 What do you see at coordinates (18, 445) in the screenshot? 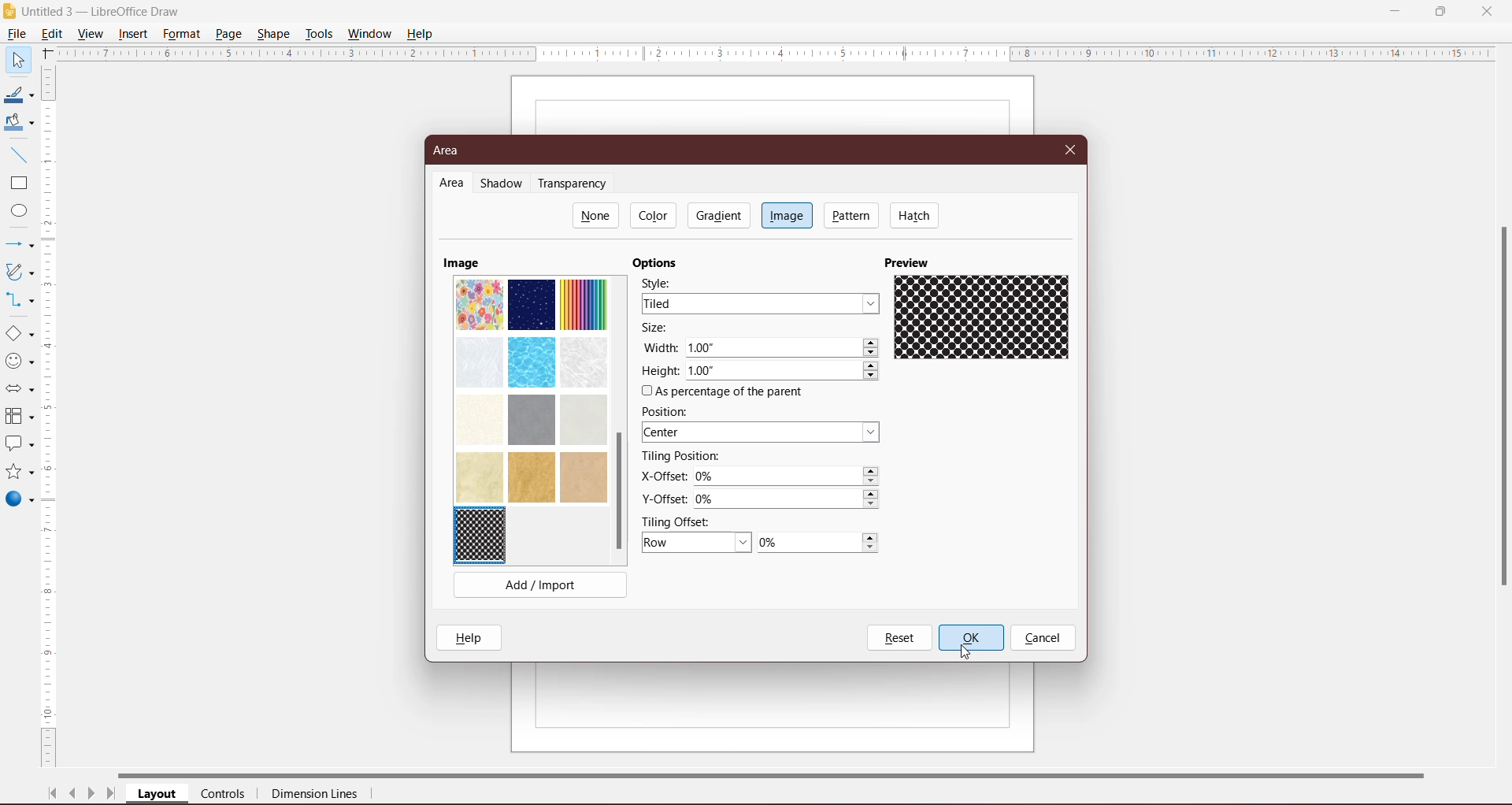
I see `Callout Shapes` at bounding box center [18, 445].